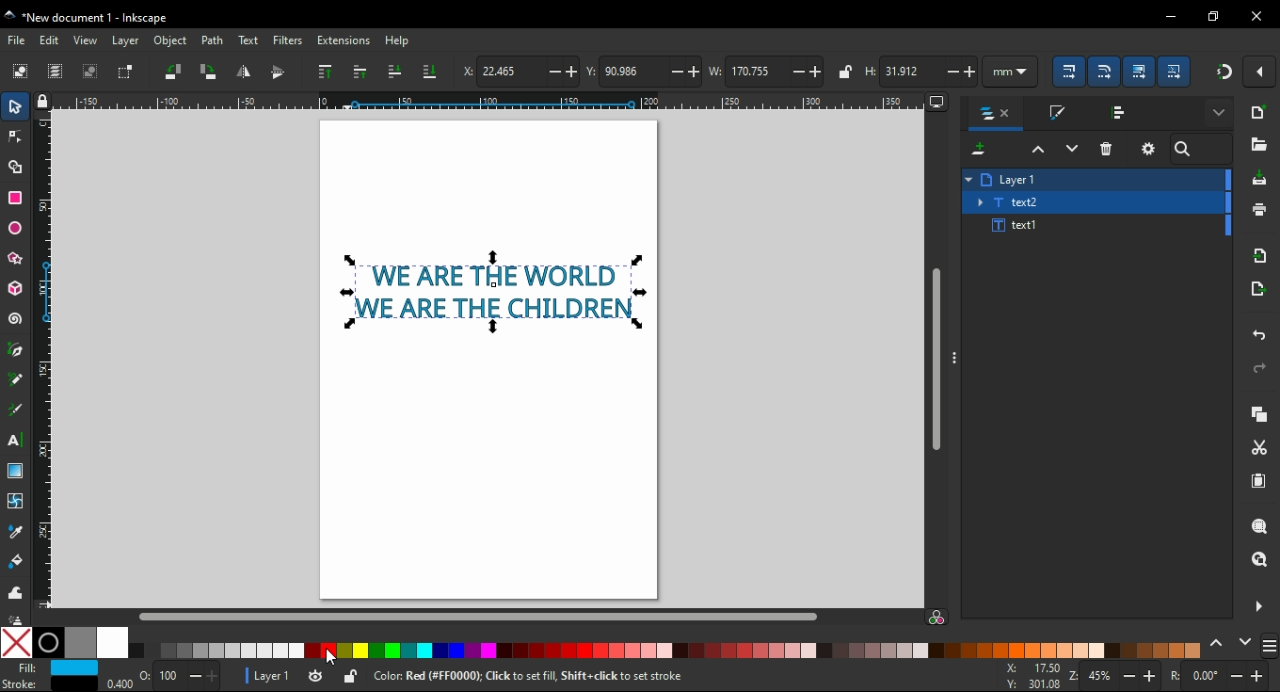  I want to click on selected text, so click(490, 289).